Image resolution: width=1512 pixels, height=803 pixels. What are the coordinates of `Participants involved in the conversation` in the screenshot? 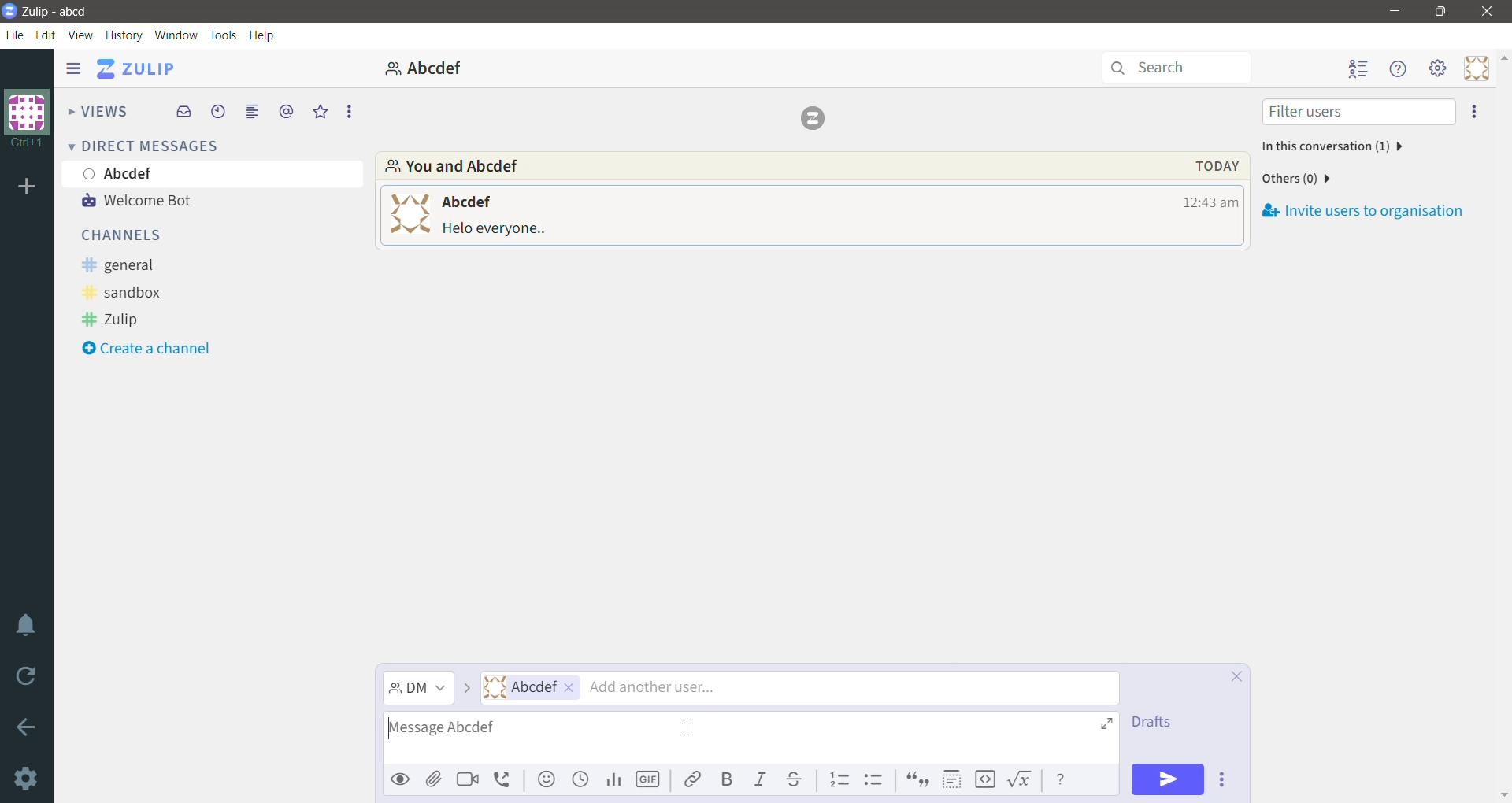 It's located at (744, 165).